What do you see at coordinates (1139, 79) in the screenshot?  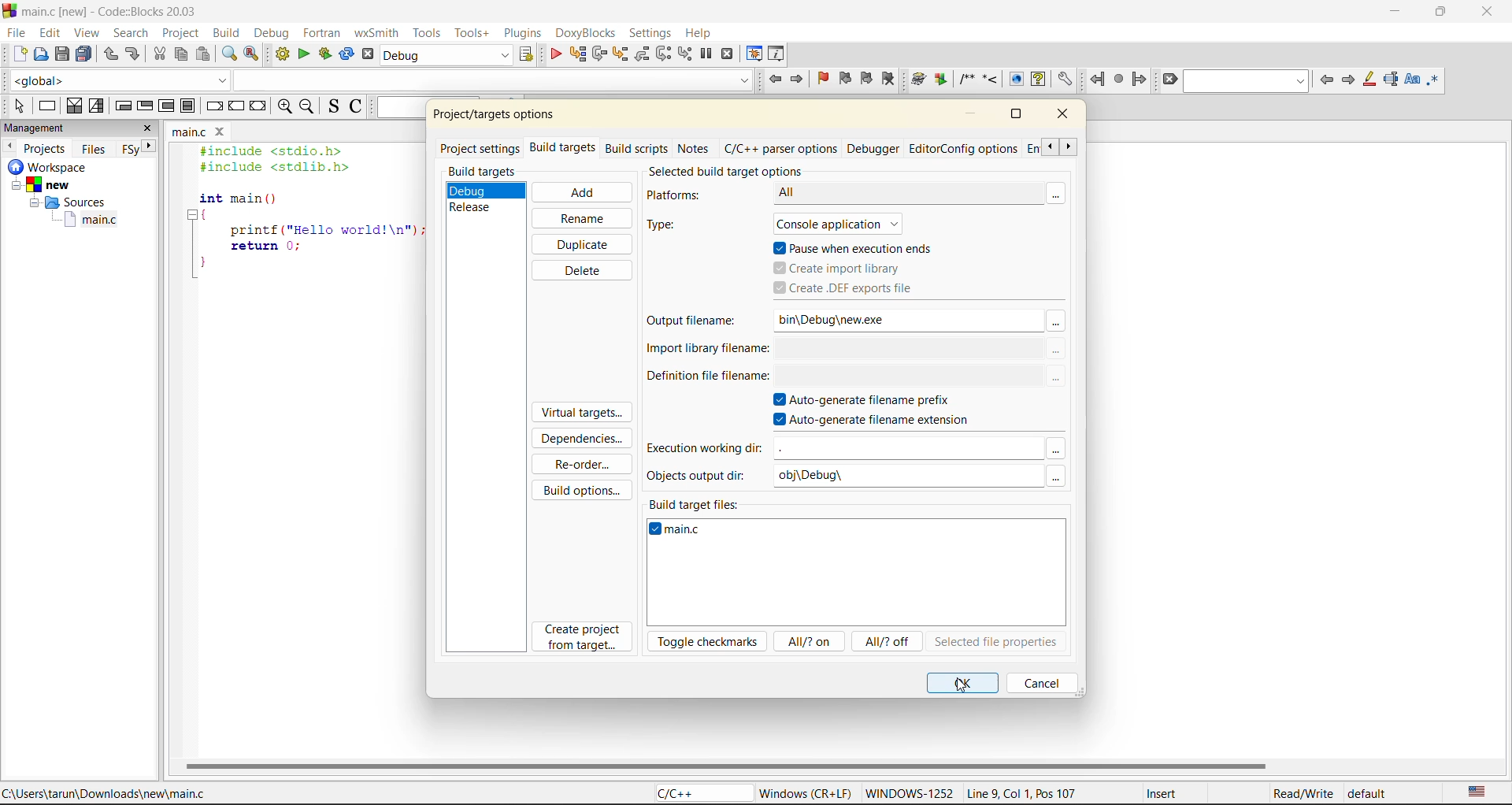 I see `jump forward` at bounding box center [1139, 79].